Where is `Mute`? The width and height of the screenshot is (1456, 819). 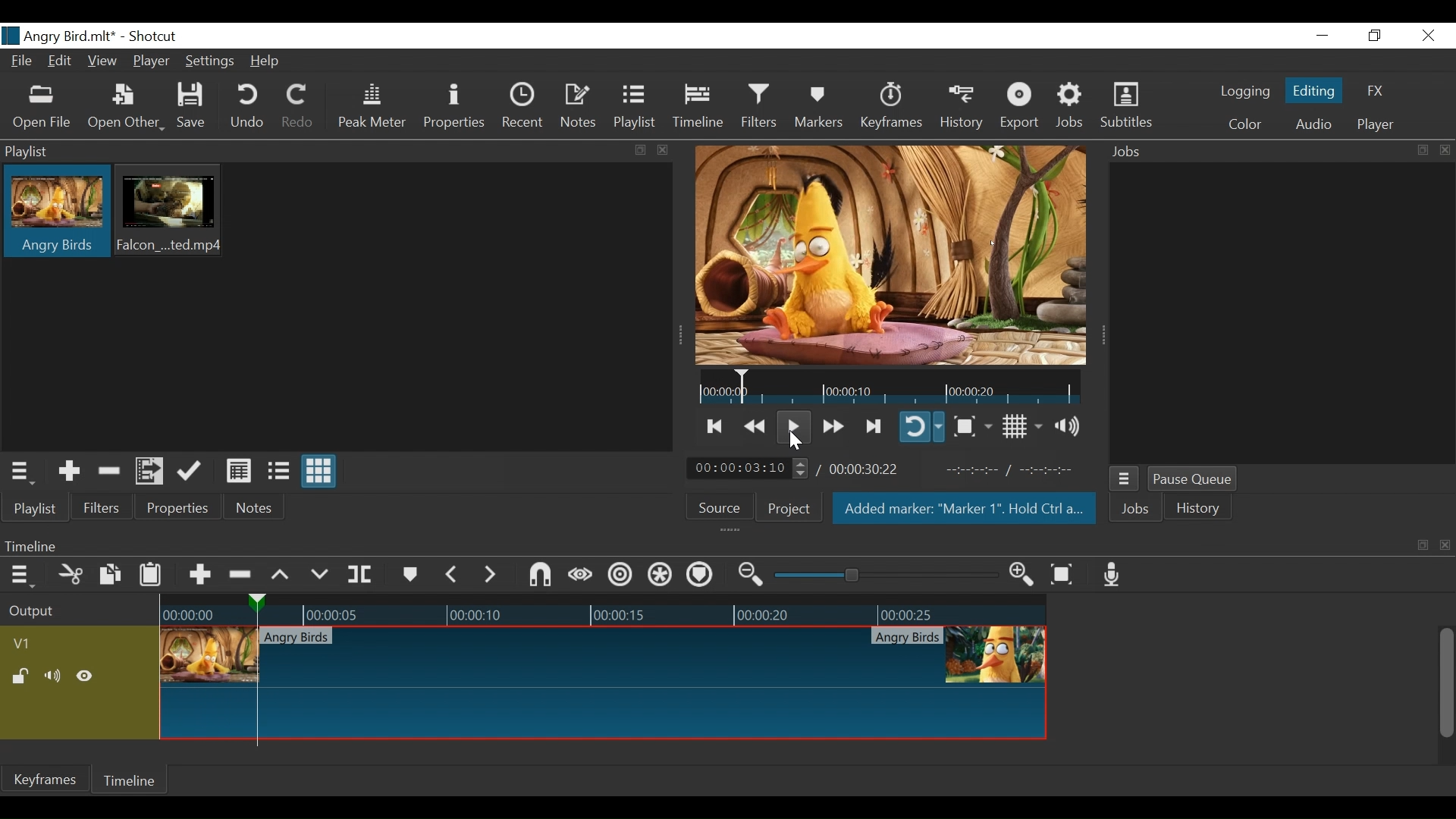
Mute is located at coordinates (54, 678).